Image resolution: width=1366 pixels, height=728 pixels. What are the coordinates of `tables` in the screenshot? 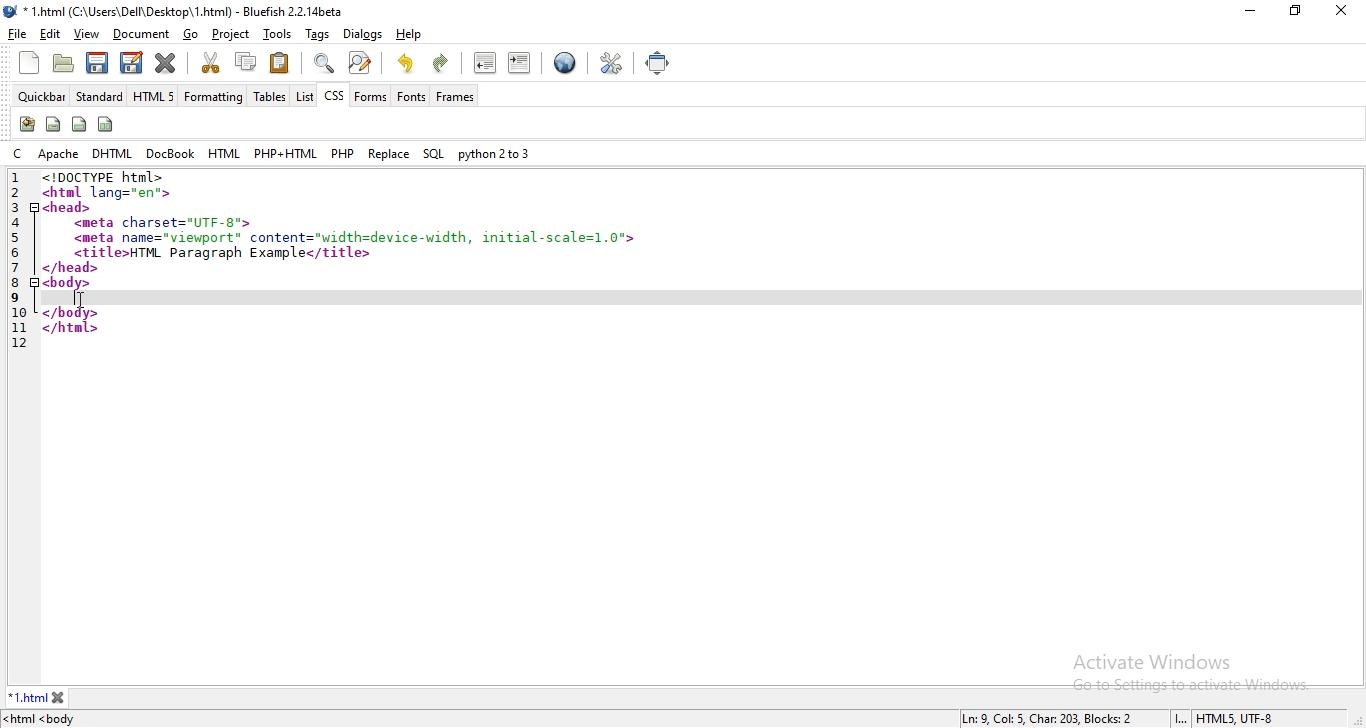 It's located at (270, 95).